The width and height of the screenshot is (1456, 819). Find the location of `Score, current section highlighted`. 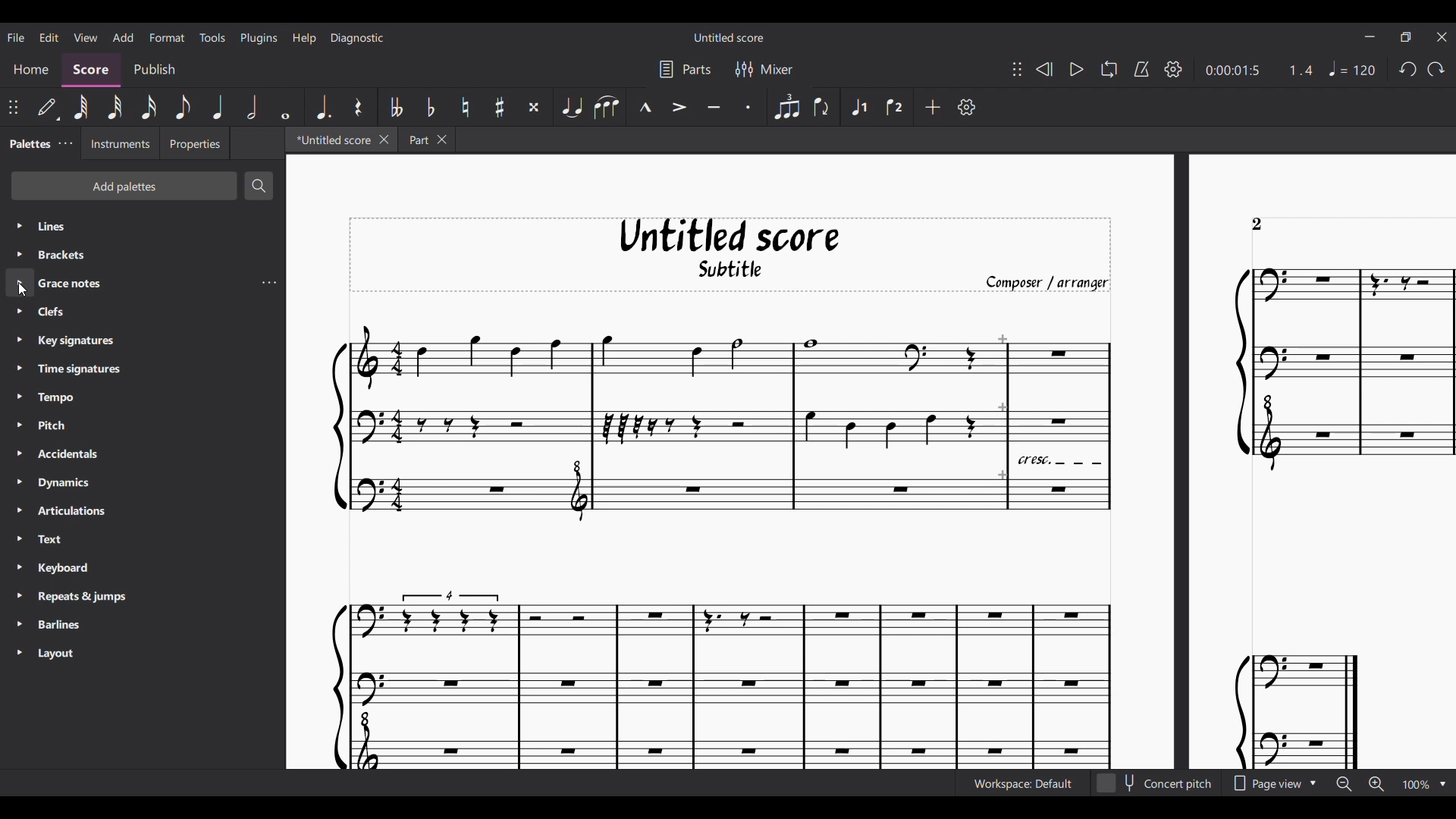

Score, current section highlighted is located at coordinates (90, 71).